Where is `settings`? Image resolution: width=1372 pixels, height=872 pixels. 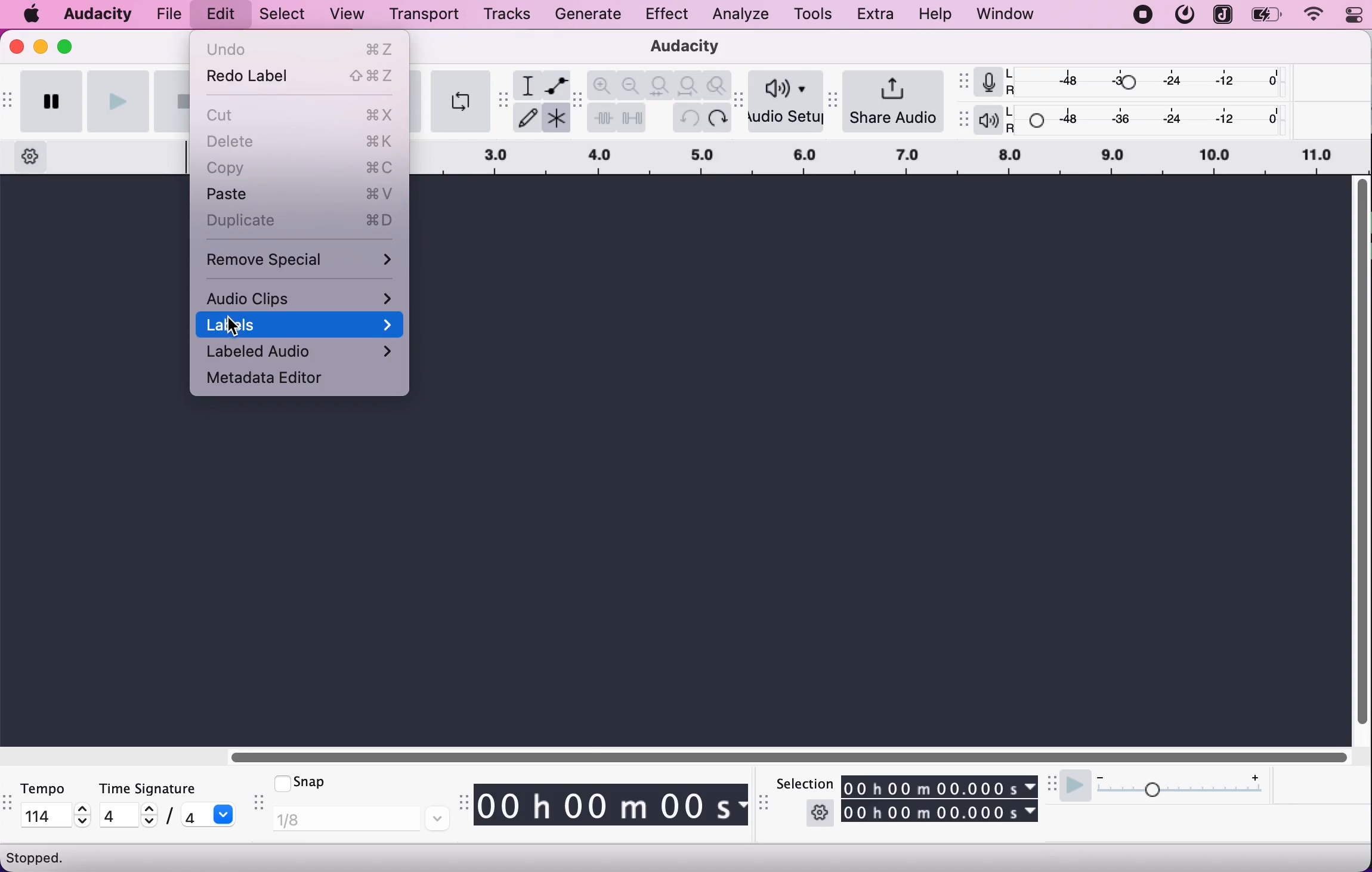
settings is located at coordinates (820, 812).